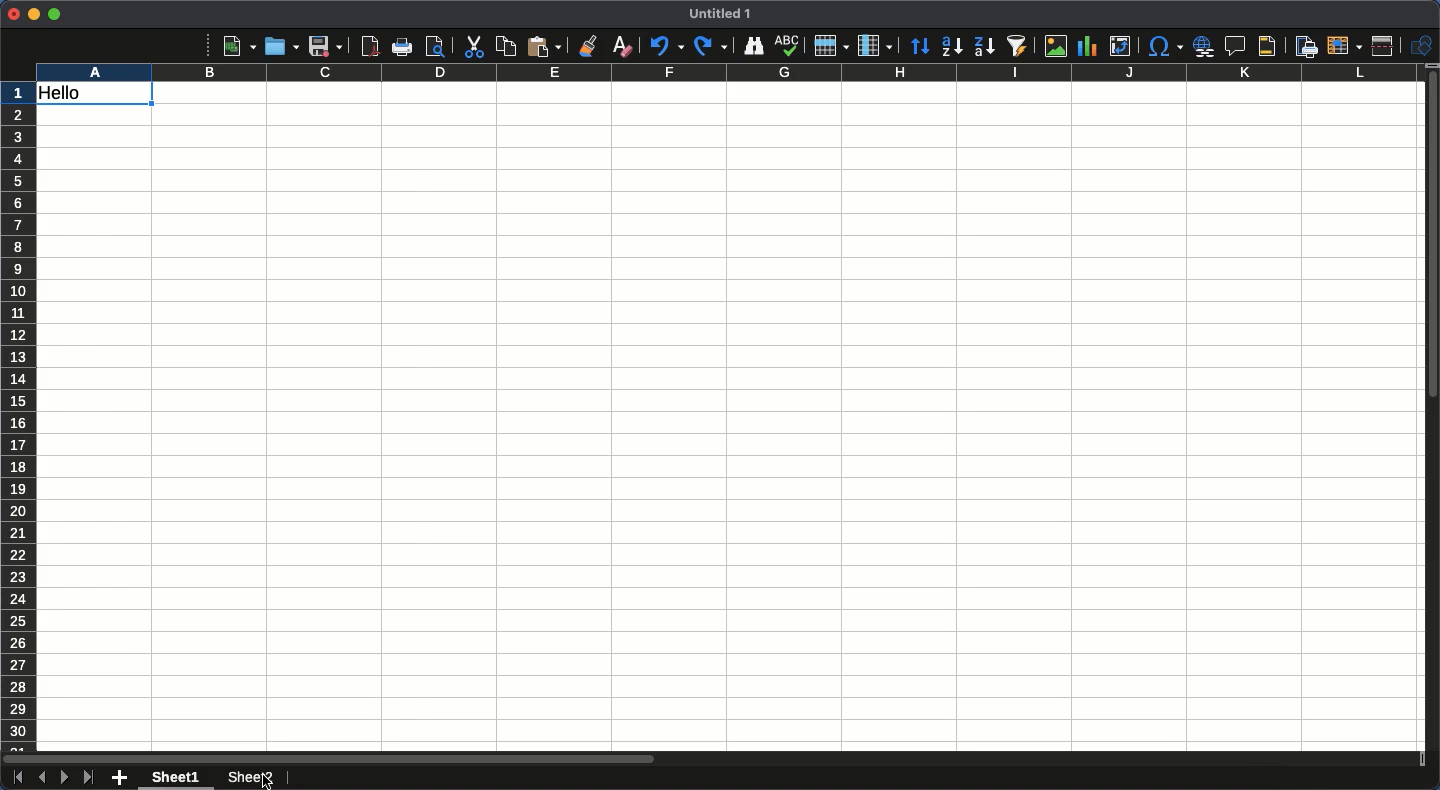 The image size is (1440, 790). I want to click on cusor, so click(270, 778).